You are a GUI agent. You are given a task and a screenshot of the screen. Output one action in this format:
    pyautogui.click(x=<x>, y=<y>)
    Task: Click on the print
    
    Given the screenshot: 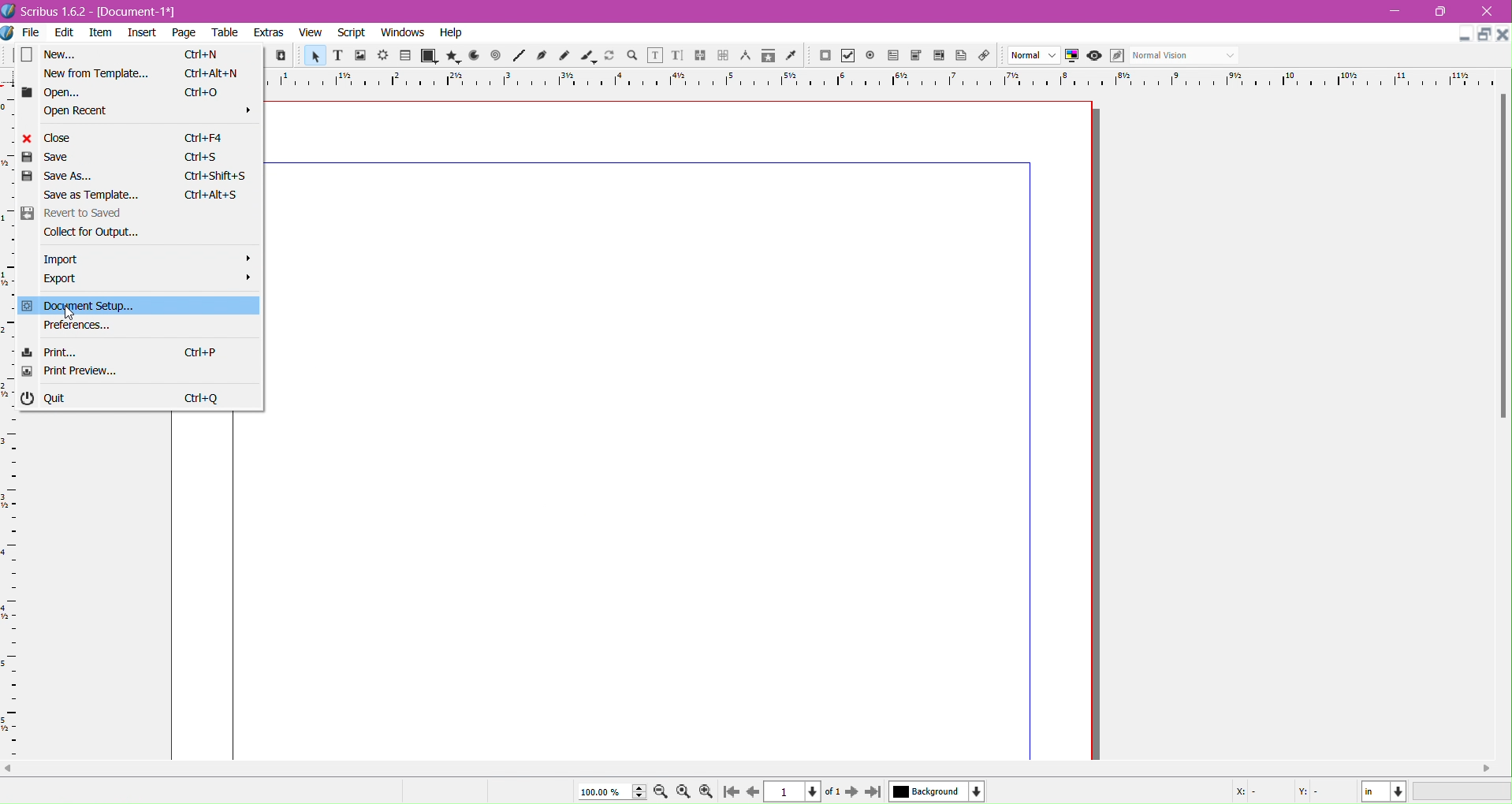 What is the action you would take?
    pyautogui.click(x=48, y=352)
    